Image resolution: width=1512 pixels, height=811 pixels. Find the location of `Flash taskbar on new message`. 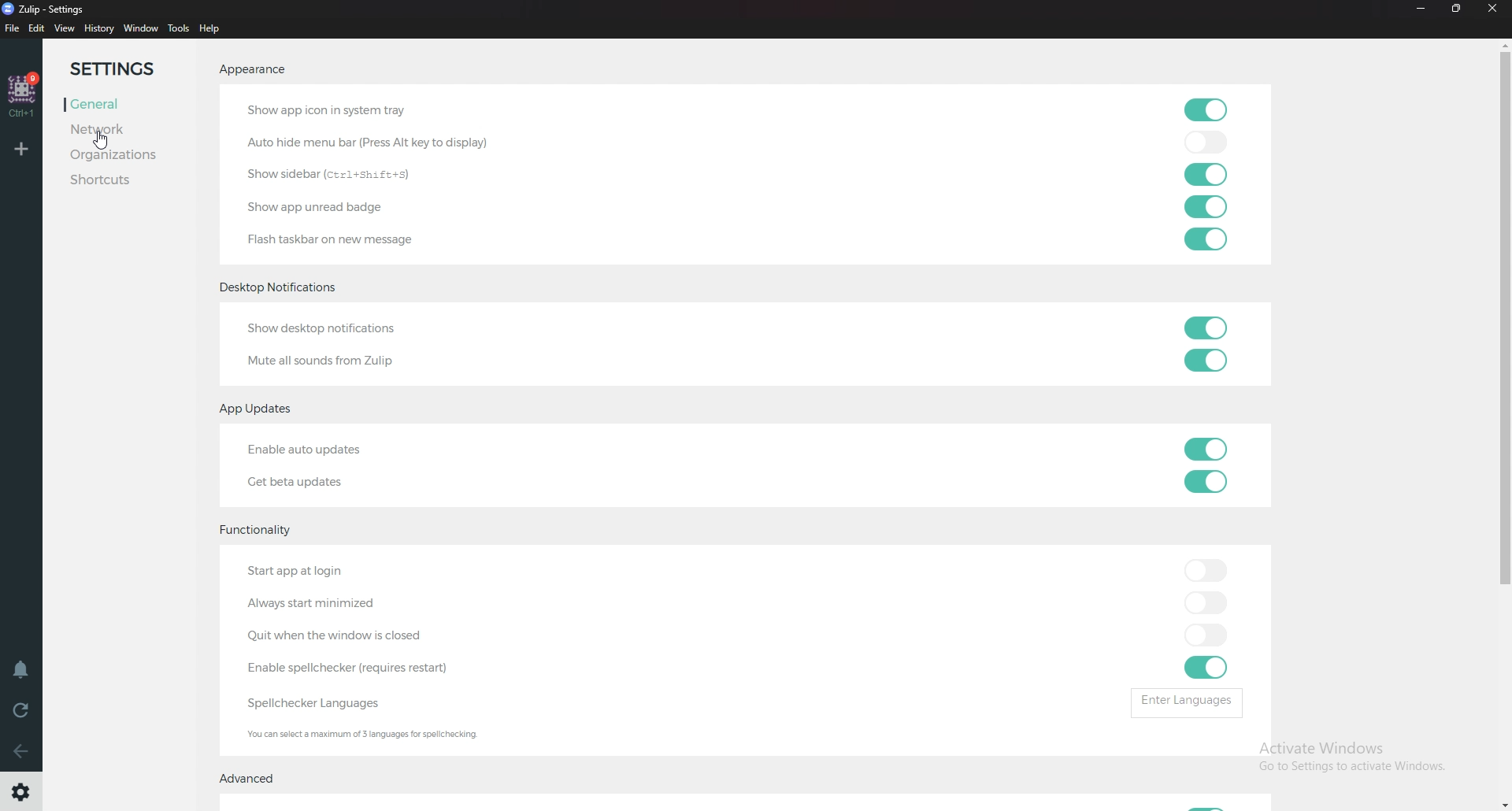

Flash taskbar on new message is located at coordinates (369, 243).